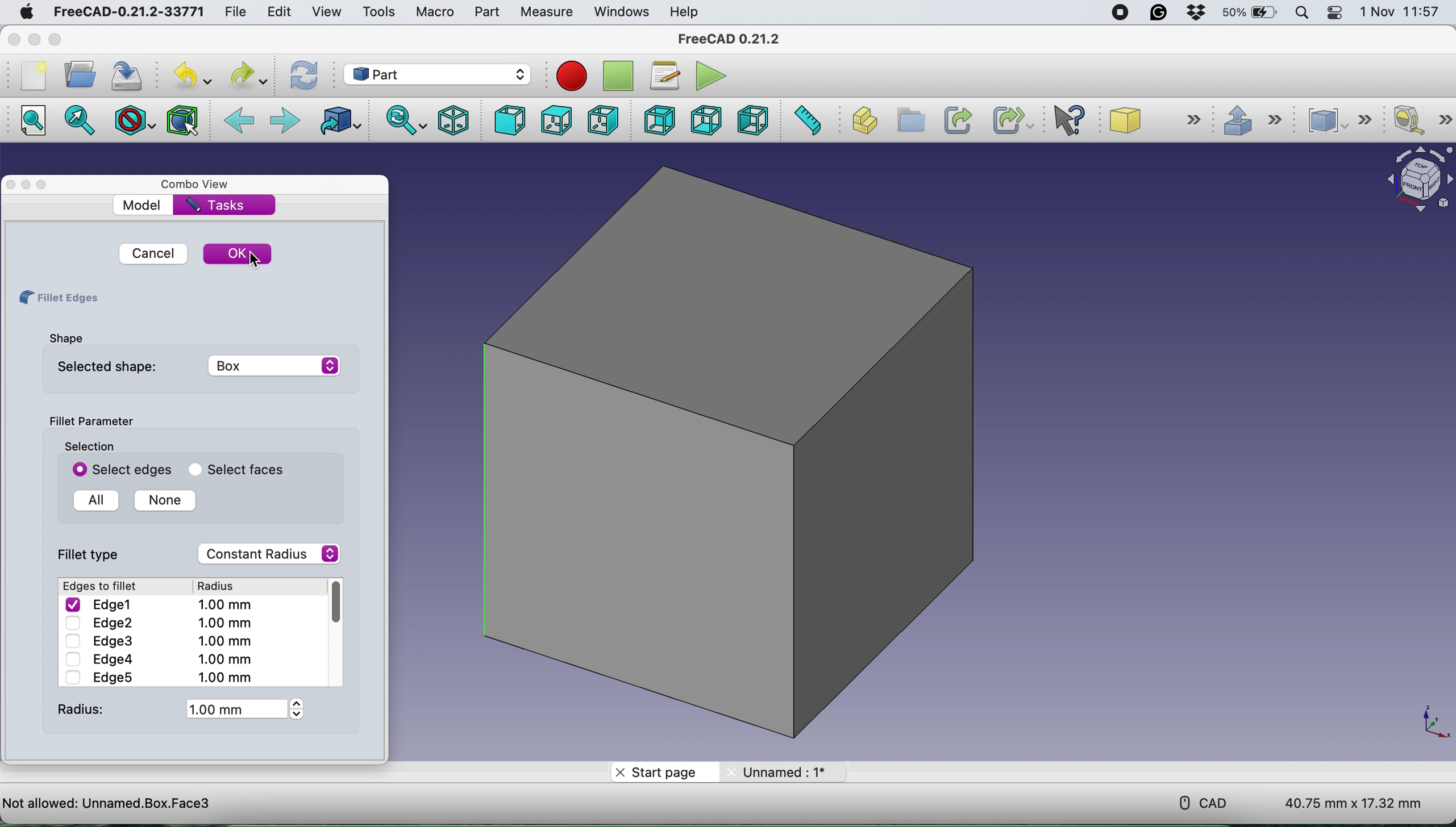  What do you see at coordinates (143, 205) in the screenshot?
I see `Model` at bounding box center [143, 205].